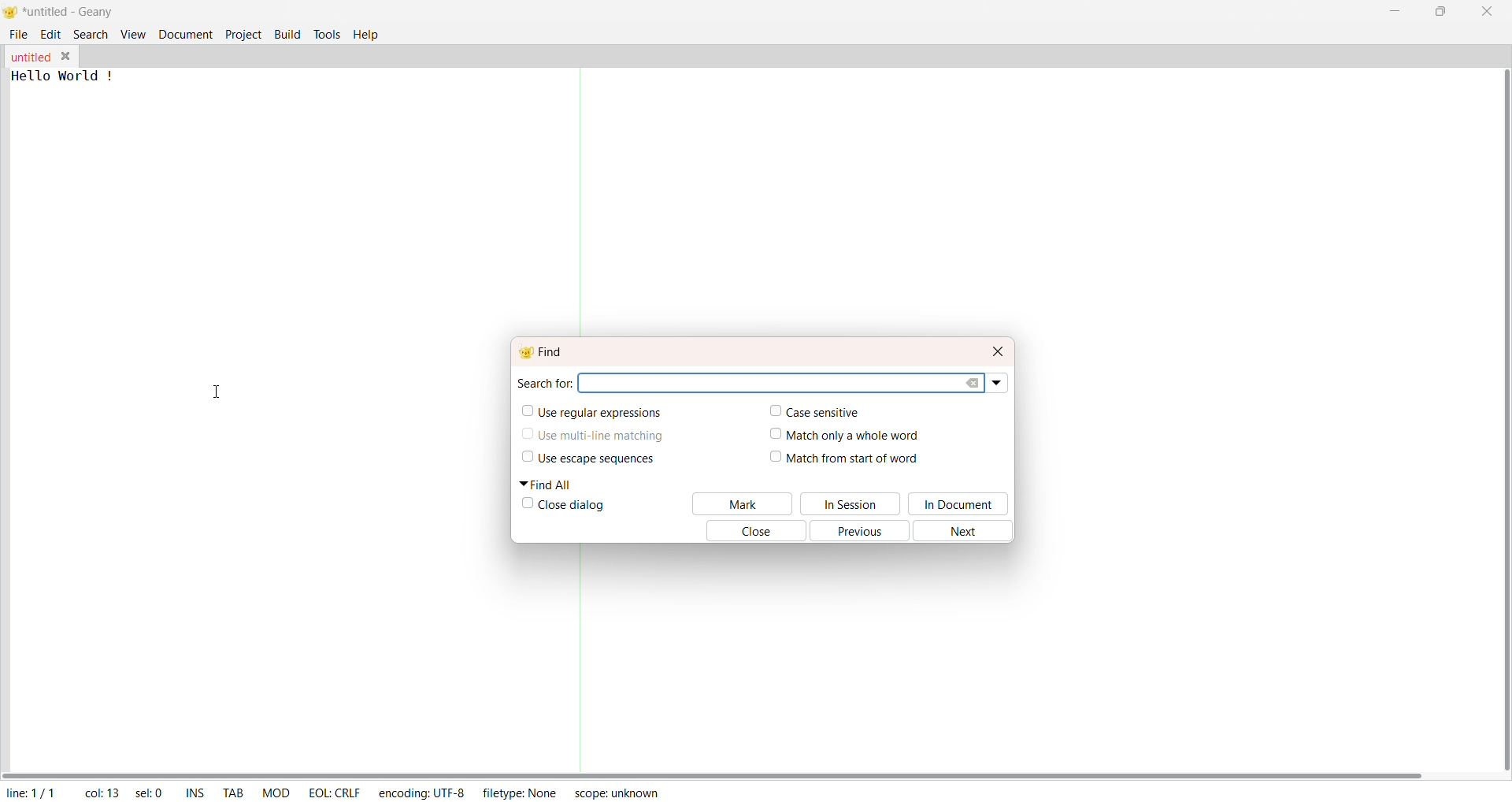  I want to click on Drop Down, so click(999, 383).